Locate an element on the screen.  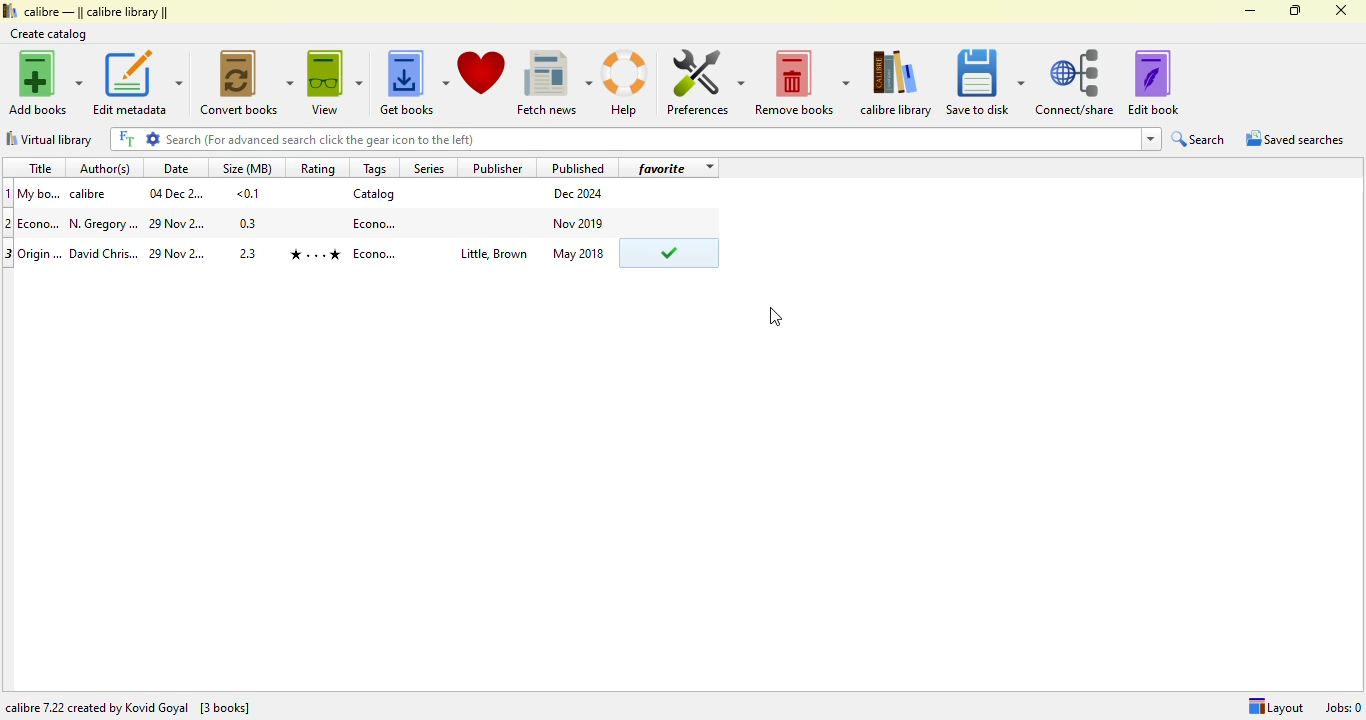
convert books is located at coordinates (248, 82).